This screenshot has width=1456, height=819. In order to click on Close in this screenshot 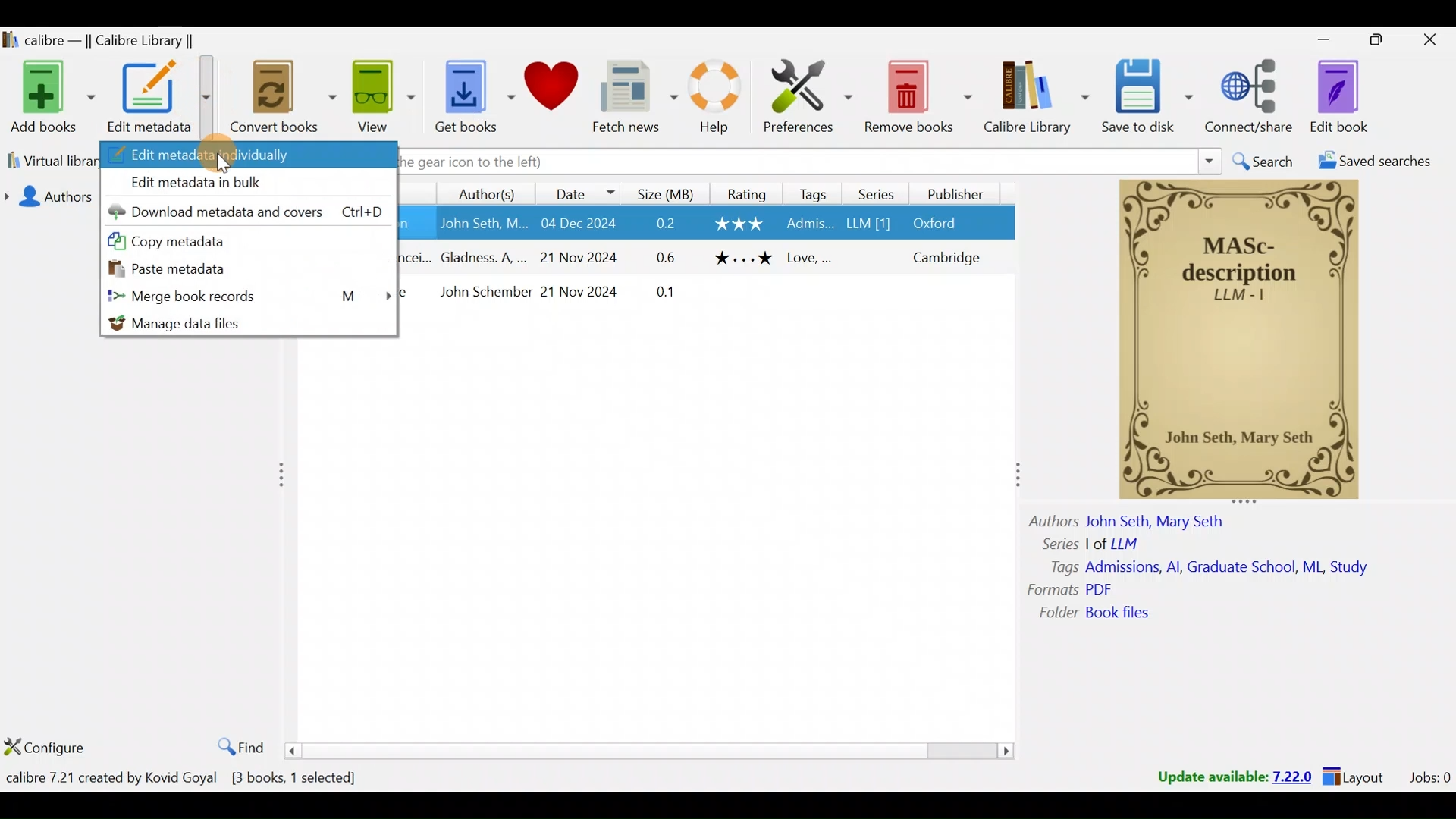, I will do `click(1432, 40)`.